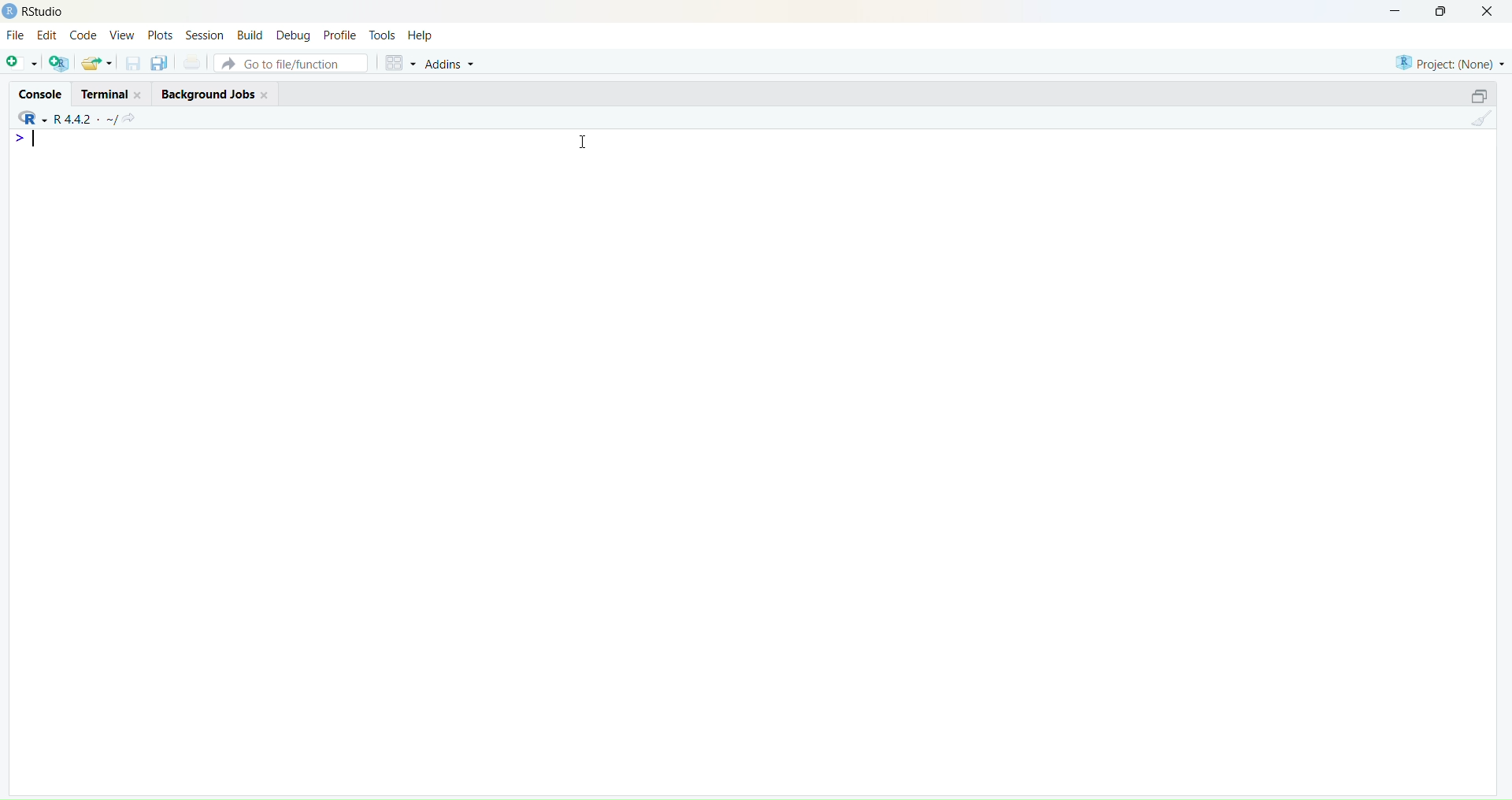  Describe the element at coordinates (450, 65) in the screenshot. I see `Addins` at that location.